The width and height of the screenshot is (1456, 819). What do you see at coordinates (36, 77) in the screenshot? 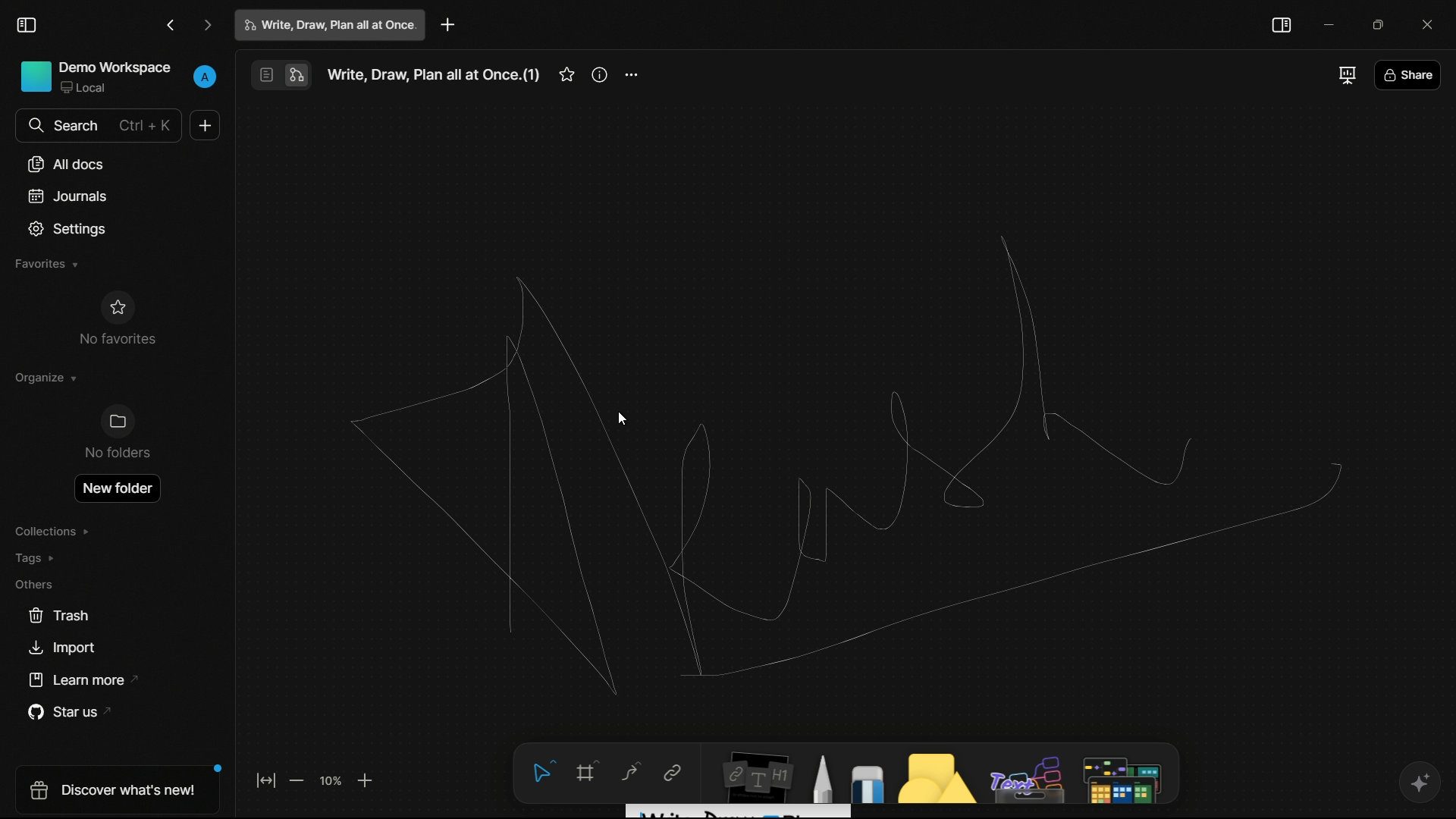
I see `Icon` at bounding box center [36, 77].